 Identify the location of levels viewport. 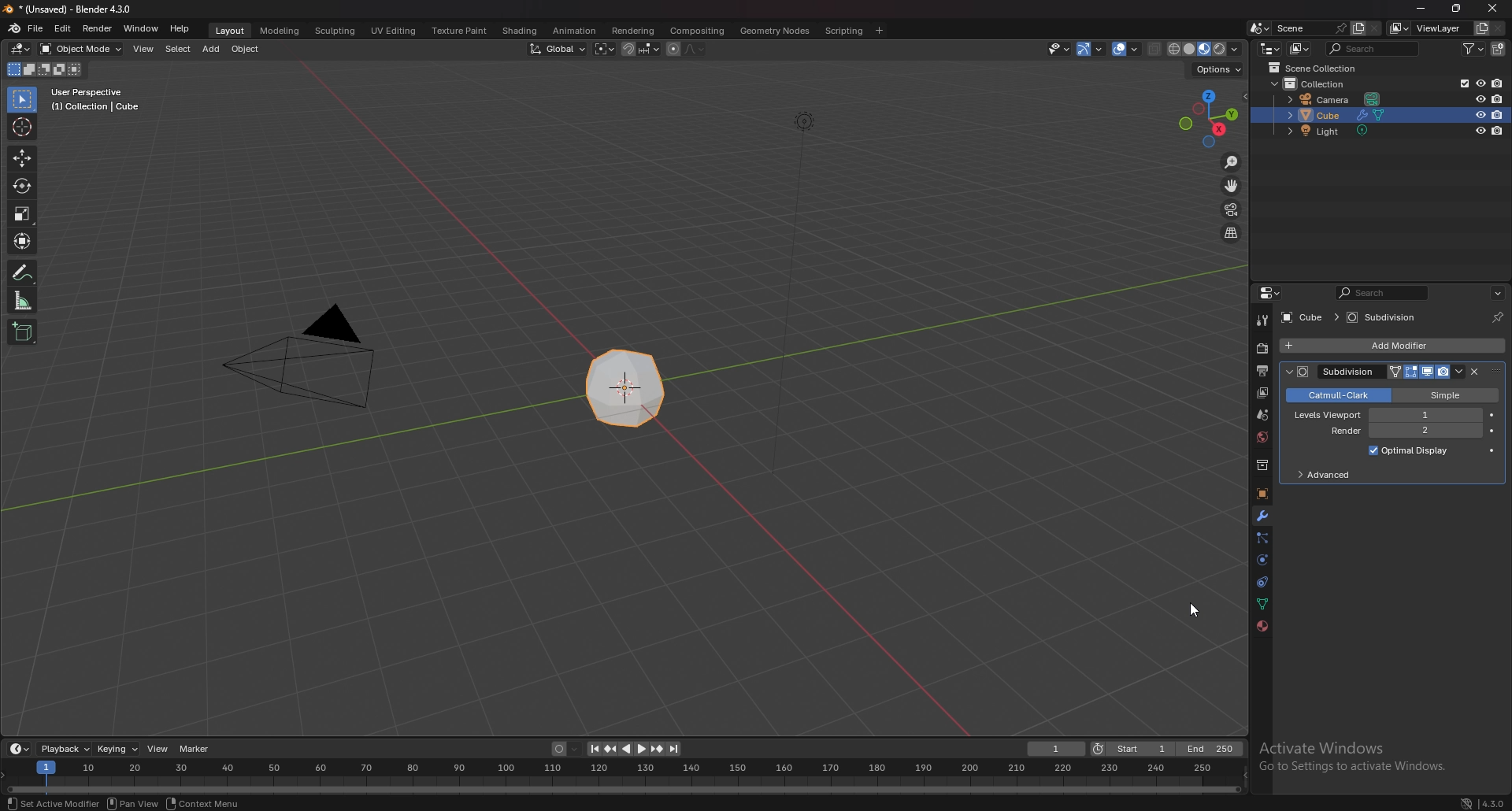
(1388, 414).